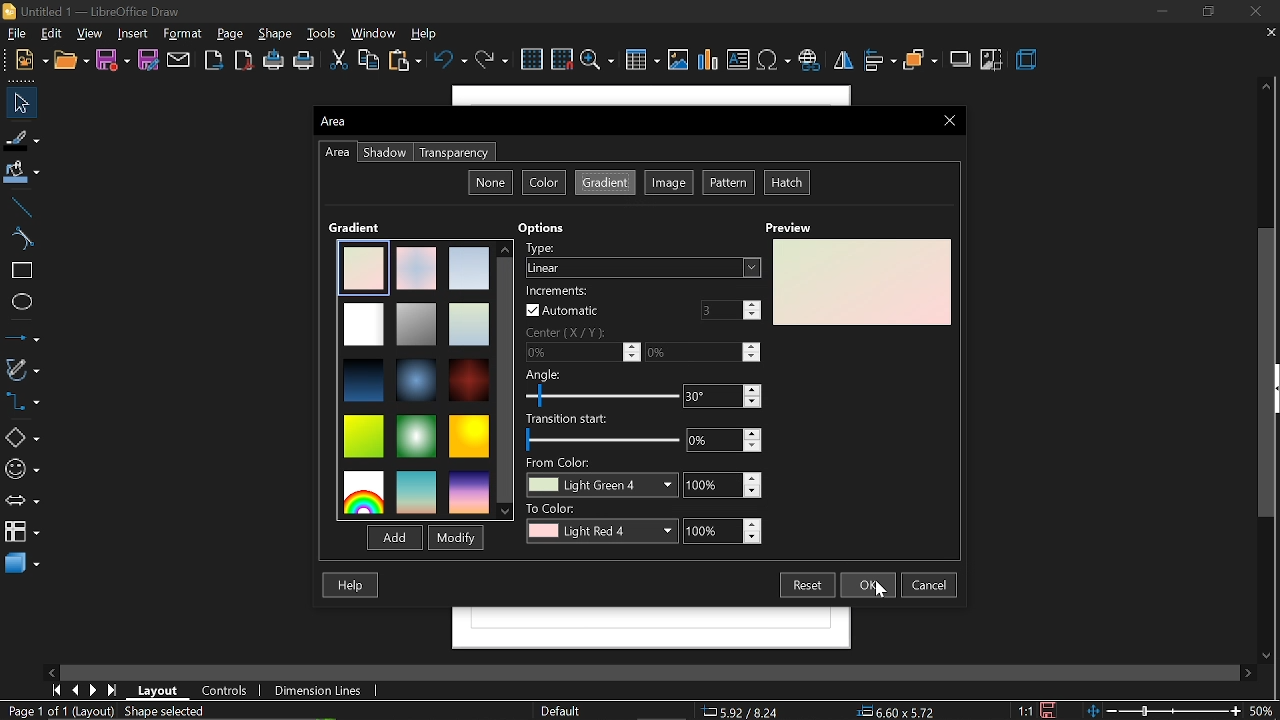 Image resolution: width=1280 pixels, height=720 pixels. What do you see at coordinates (305, 62) in the screenshot?
I see `print` at bounding box center [305, 62].